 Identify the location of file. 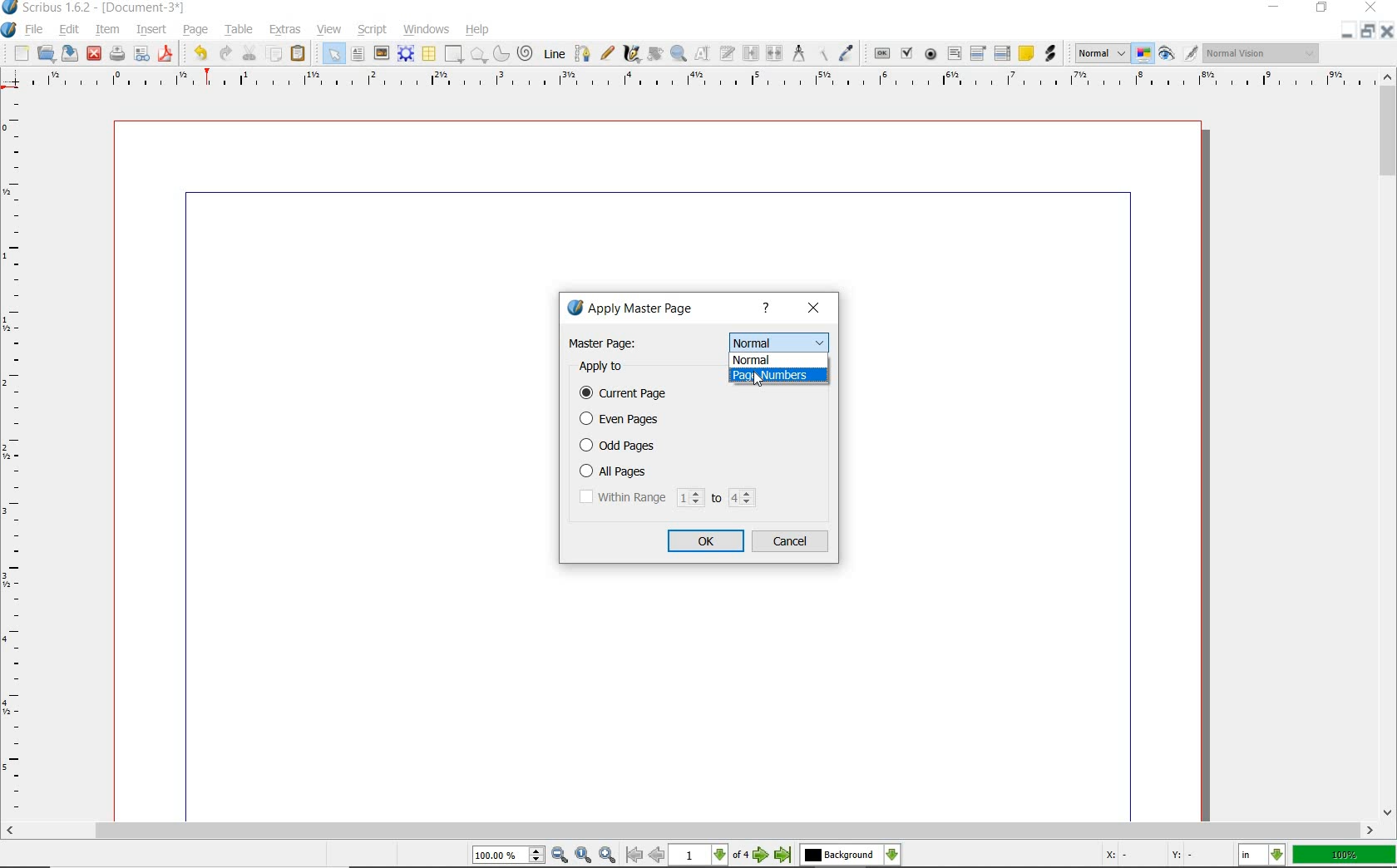
(36, 29).